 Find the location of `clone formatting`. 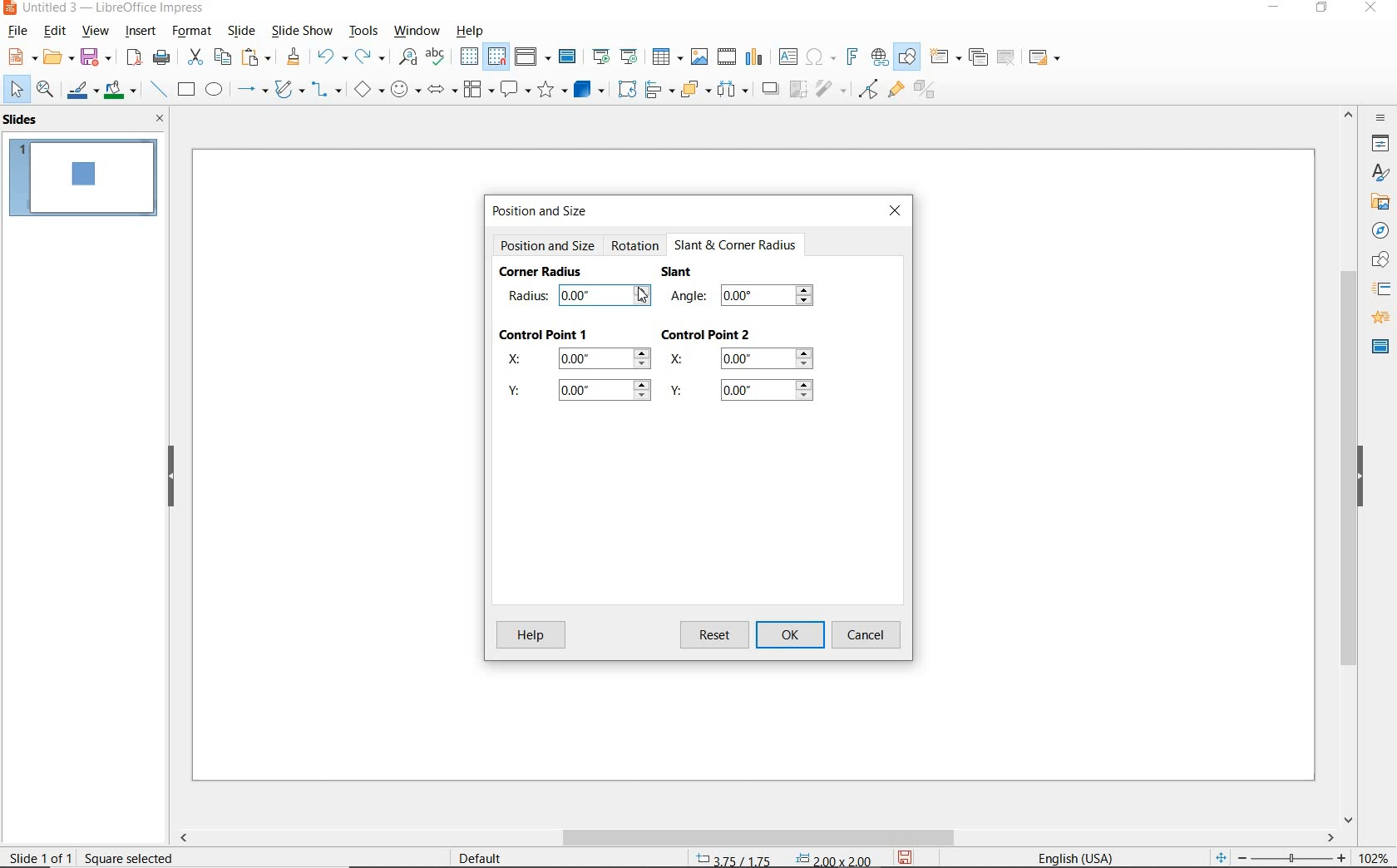

clone formatting is located at coordinates (293, 57).